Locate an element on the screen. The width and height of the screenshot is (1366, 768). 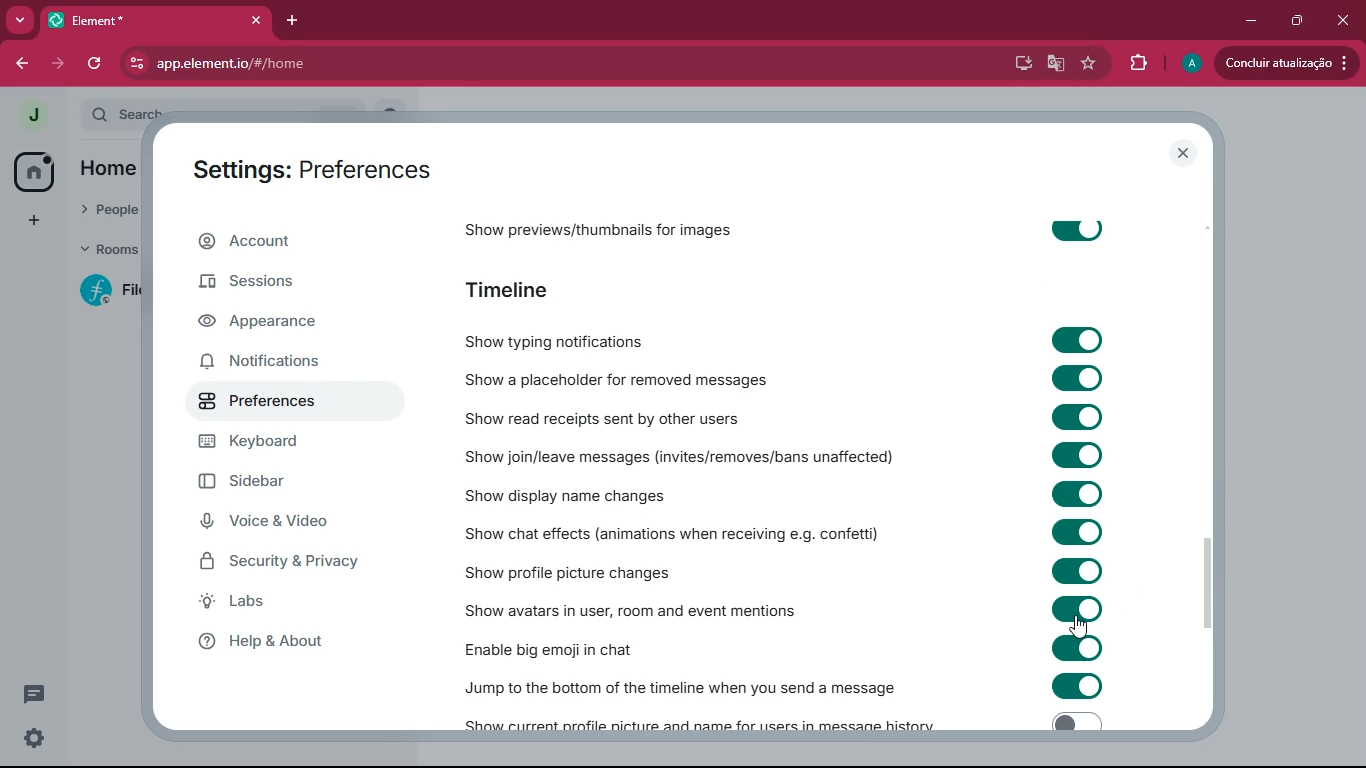
extensions is located at coordinates (1138, 63).